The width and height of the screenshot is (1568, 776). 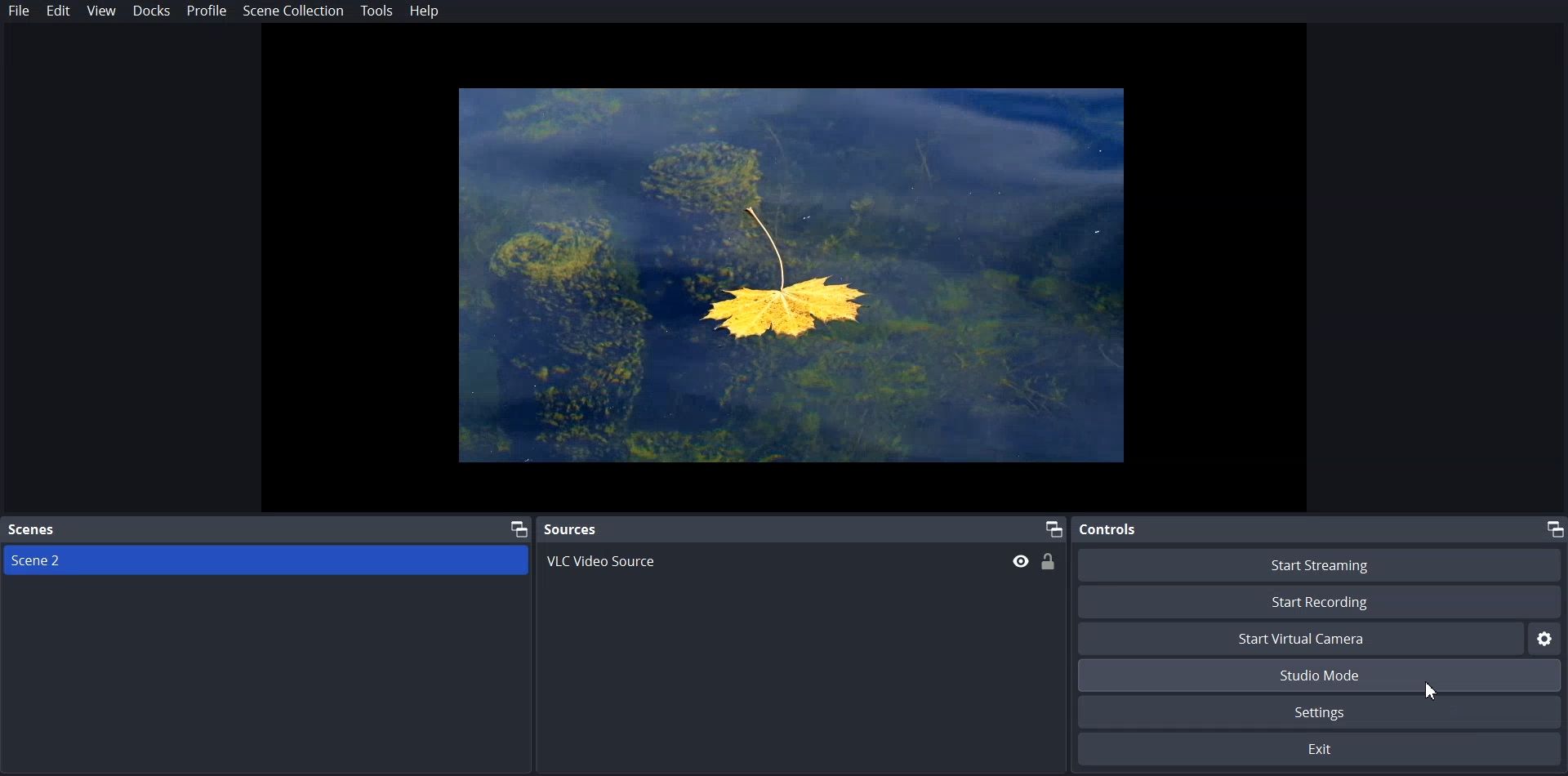 What do you see at coordinates (1050, 561) in the screenshot?
I see `Lock` at bounding box center [1050, 561].